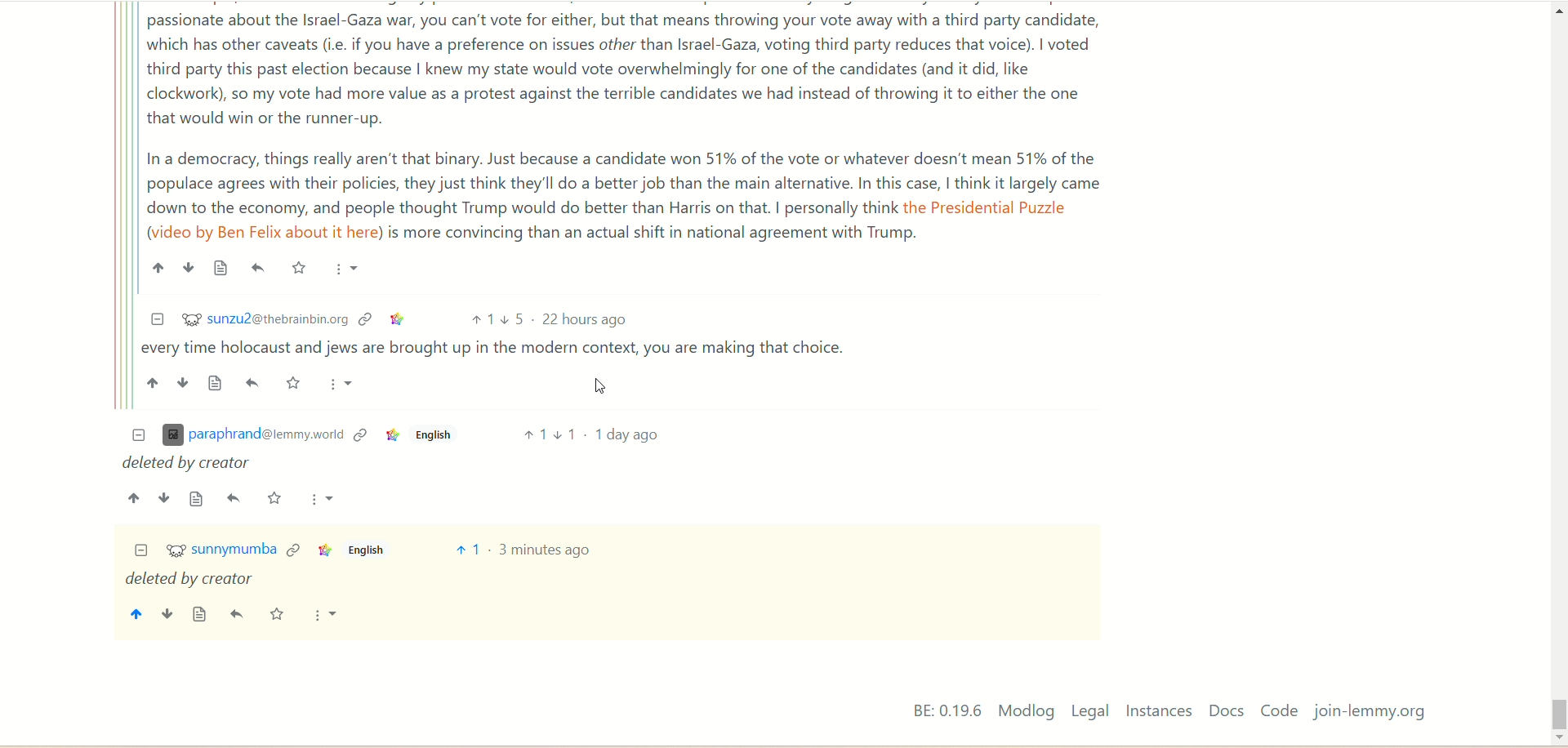 The image size is (1568, 748). I want to click on %¥ sunnymumba, so click(222, 551).